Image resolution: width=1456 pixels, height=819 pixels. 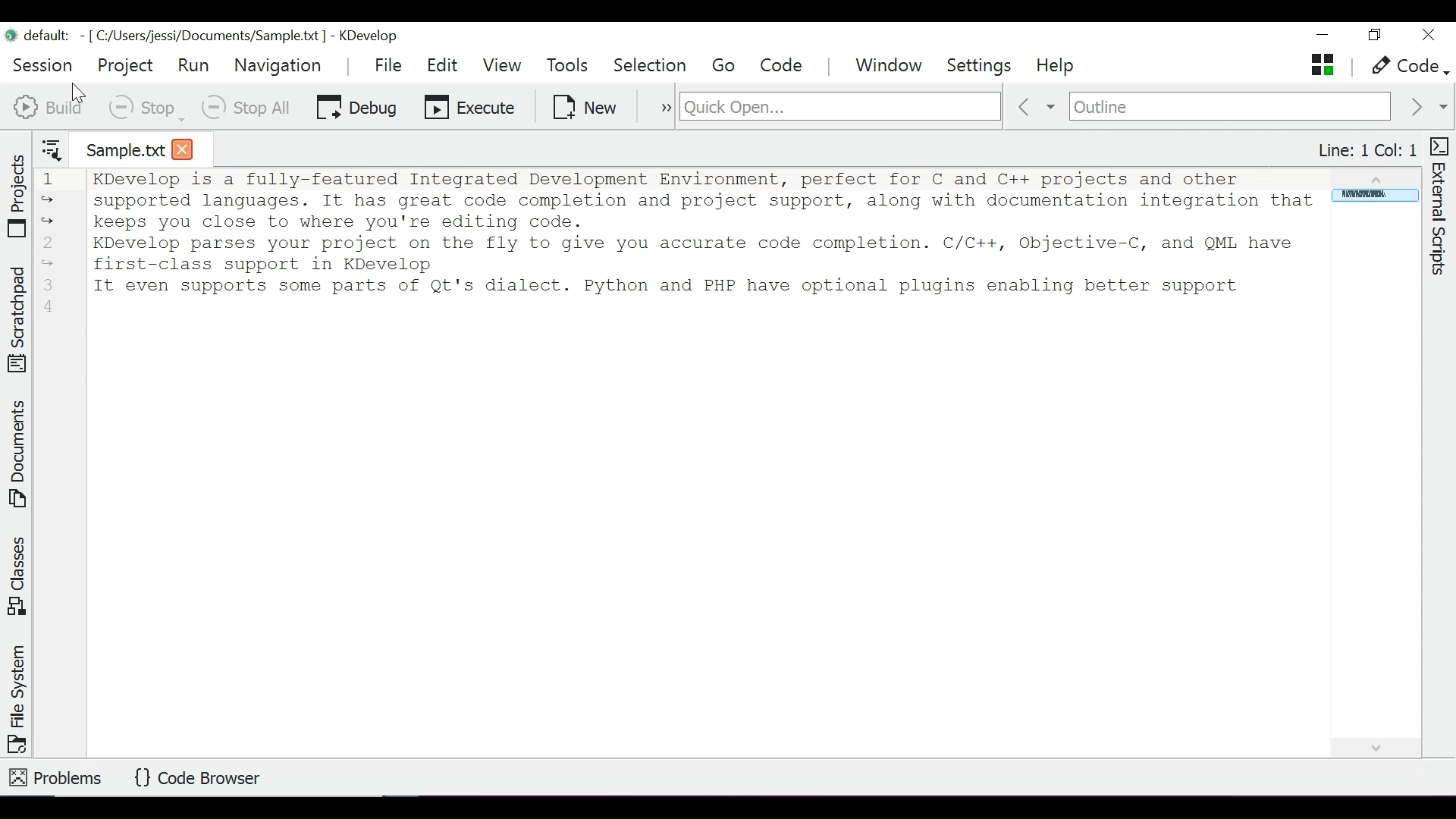 I want to click on Project, so click(x=125, y=64).